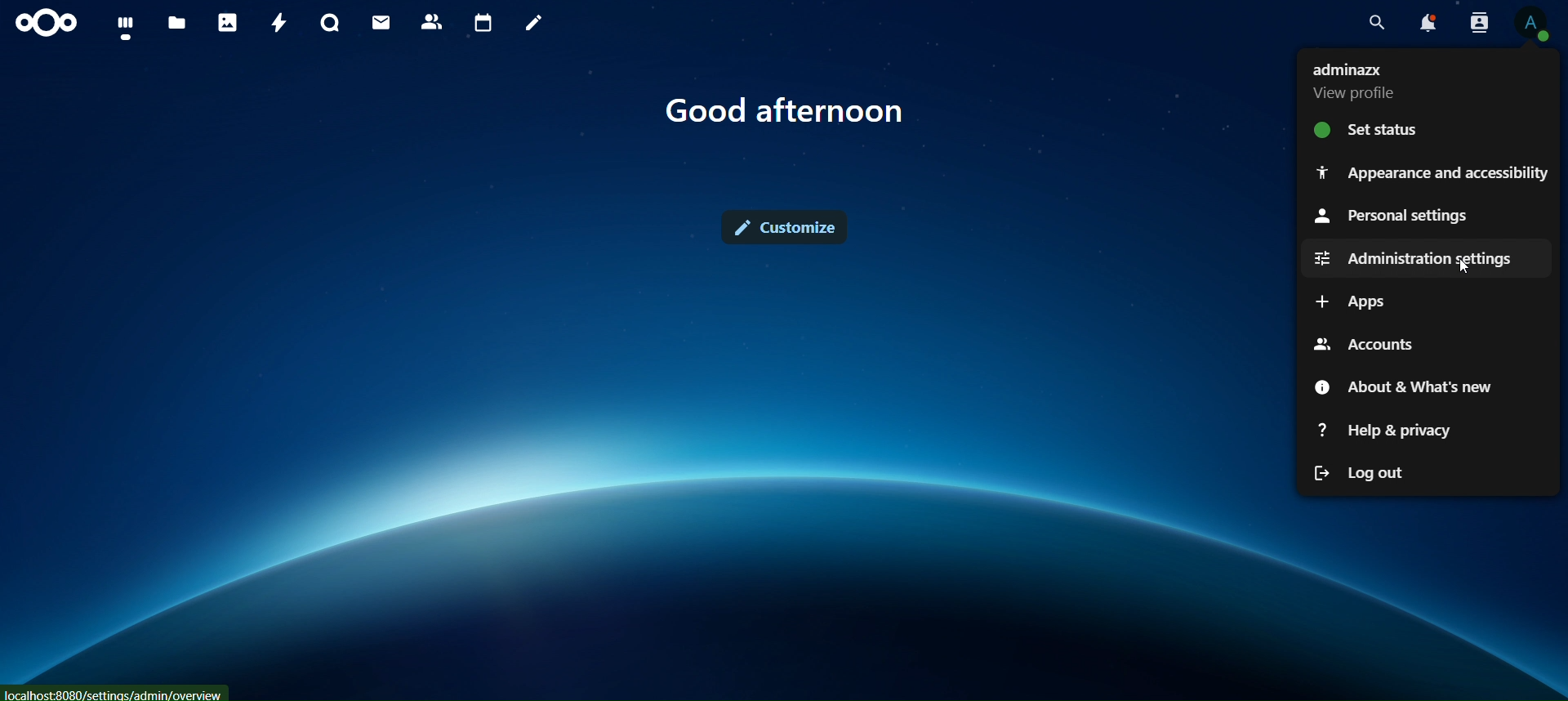 This screenshot has width=1568, height=701. What do you see at coordinates (1385, 129) in the screenshot?
I see `set status` at bounding box center [1385, 129].